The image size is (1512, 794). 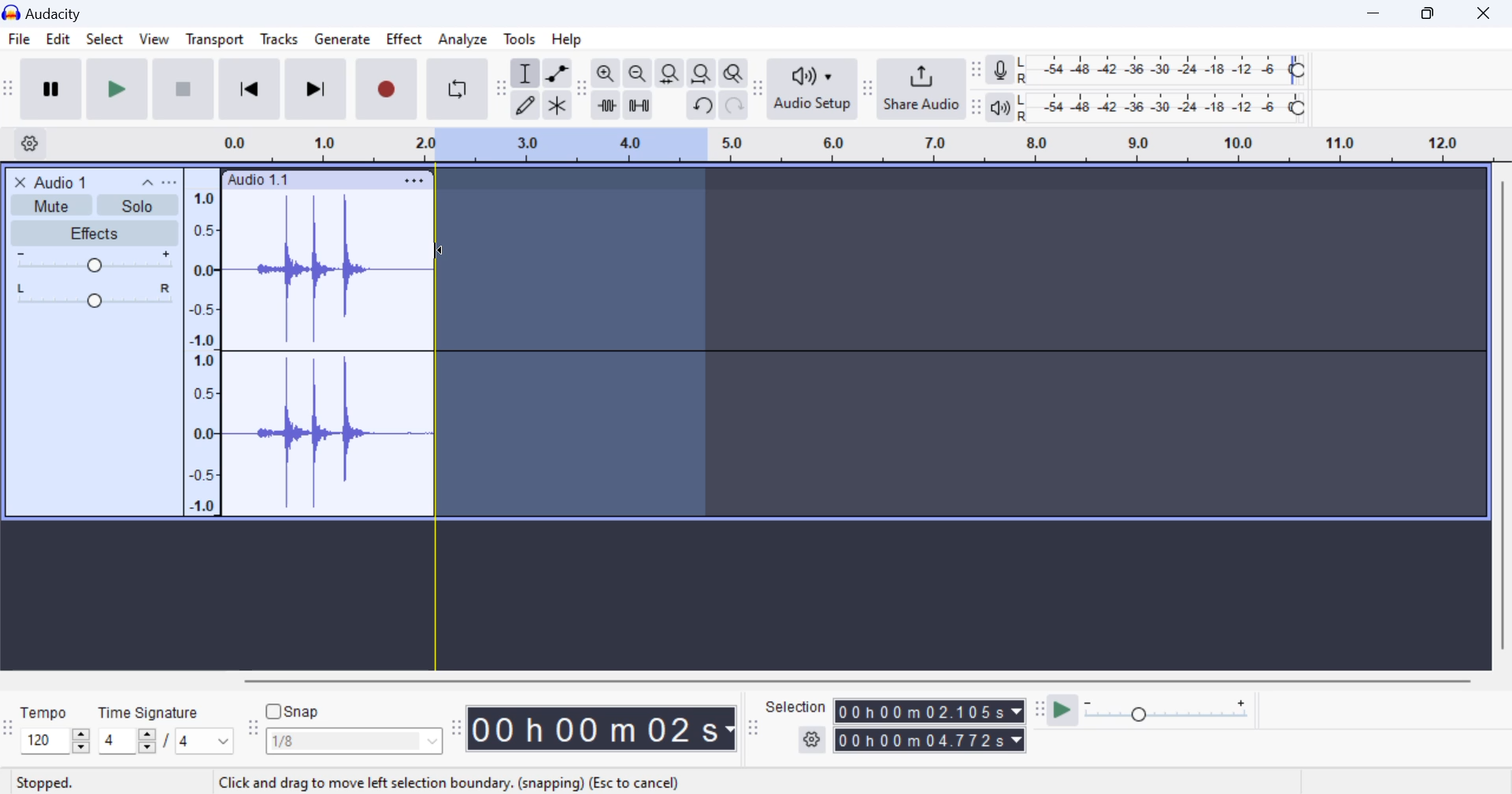 I want to click on playback meter, so click(x=1001, y=107).